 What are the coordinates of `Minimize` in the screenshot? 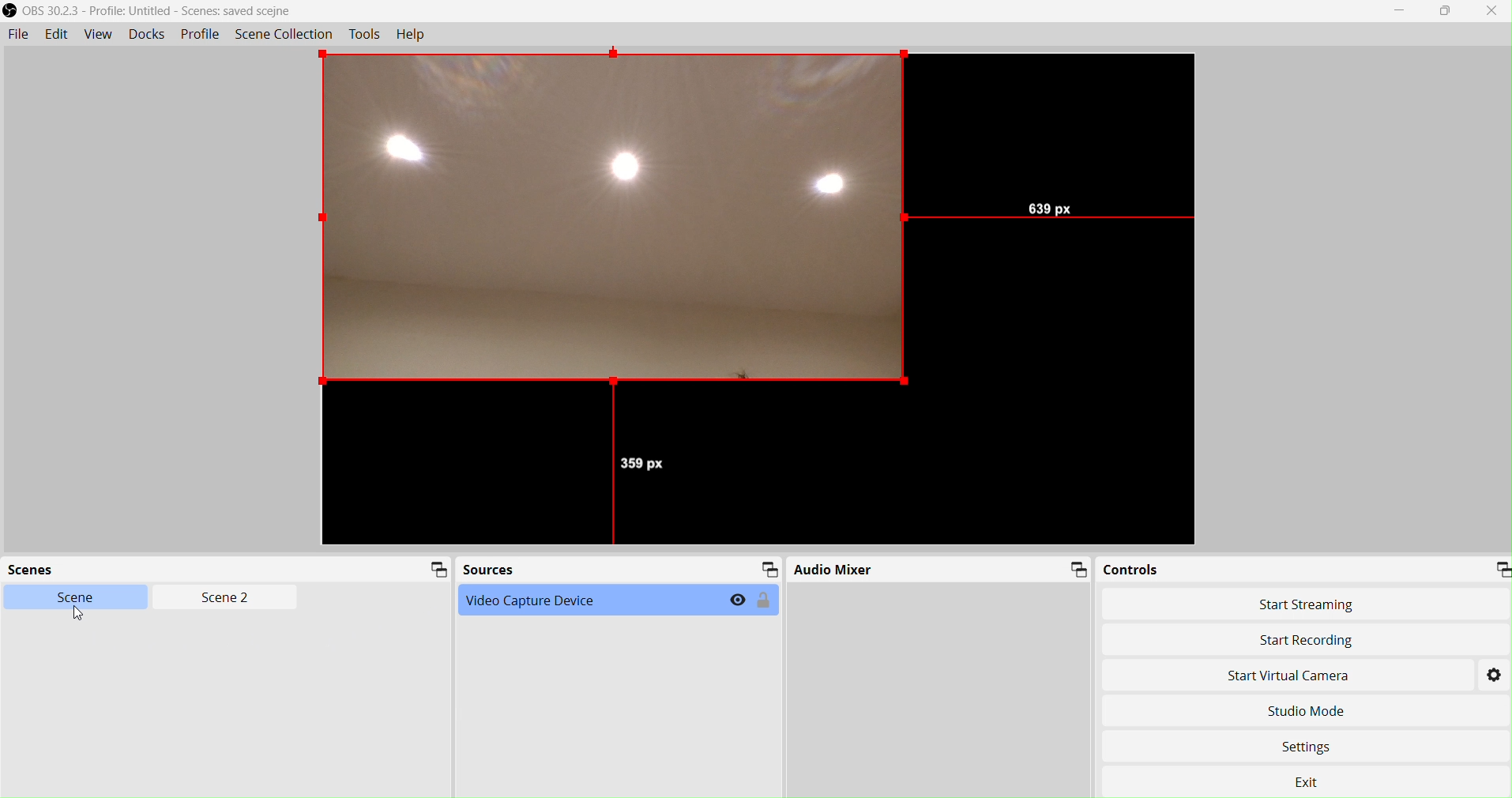 It's located at (1400, 10).